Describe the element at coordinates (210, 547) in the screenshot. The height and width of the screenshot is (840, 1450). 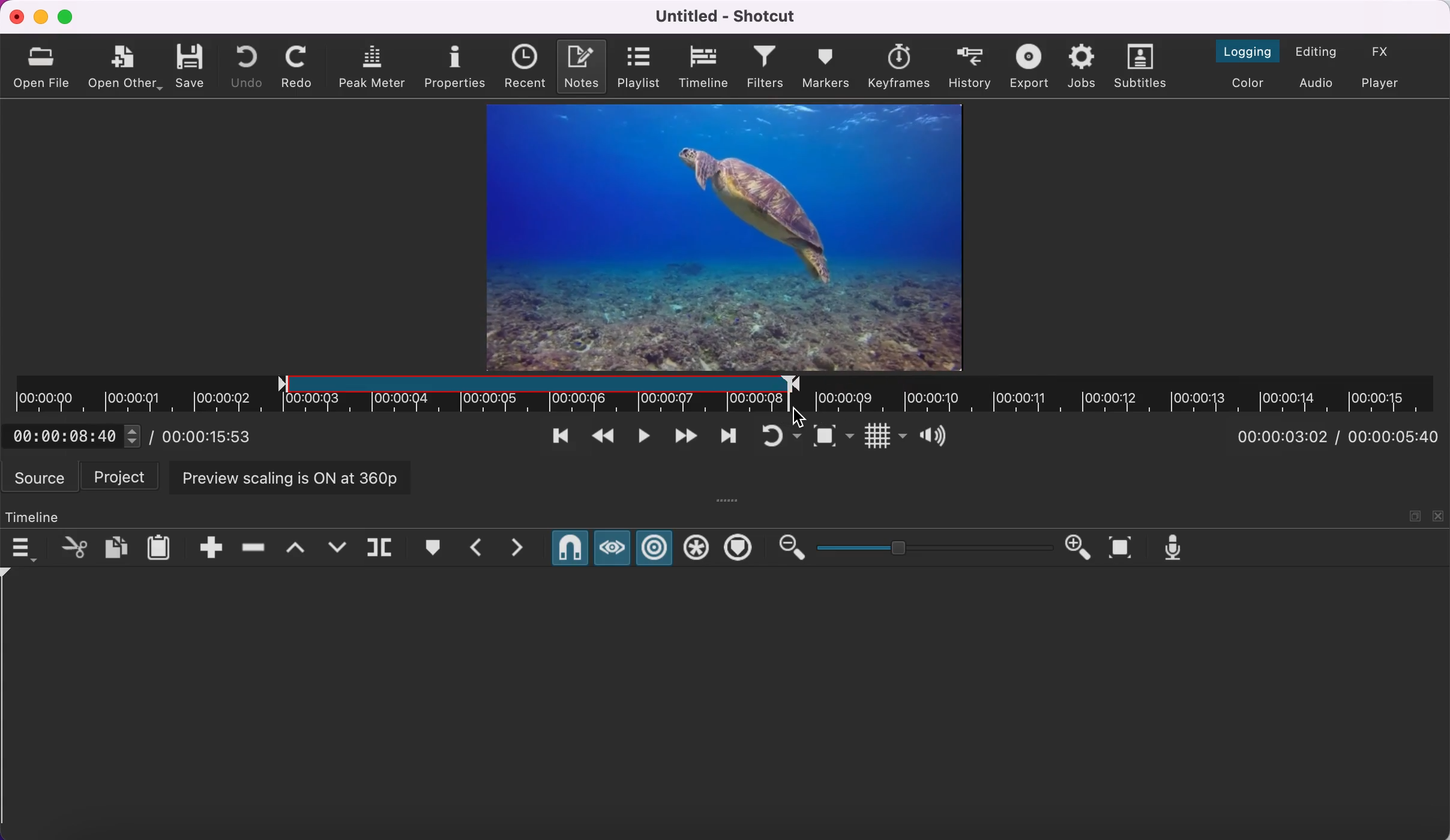
I see `append` at that location.